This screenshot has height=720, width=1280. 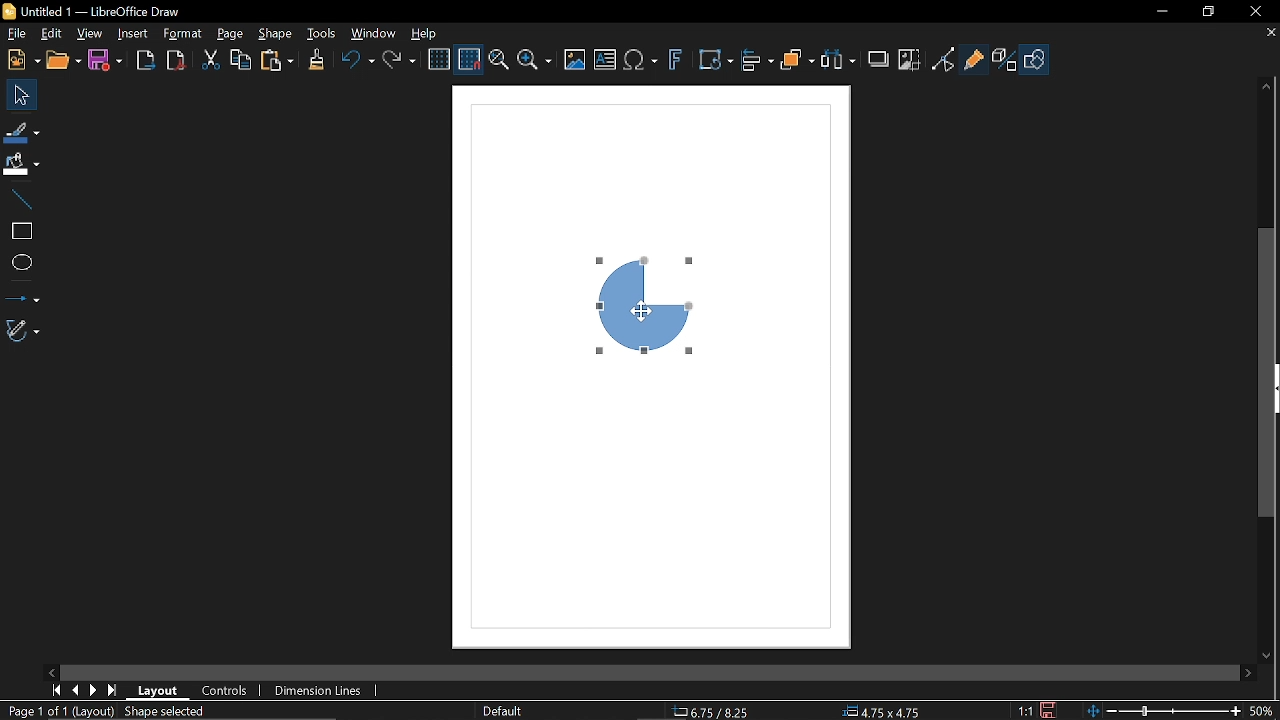 What do you see at coordinates (715, 61) in the screenshot?
I see `transformation` at bounding box center [715, 61].